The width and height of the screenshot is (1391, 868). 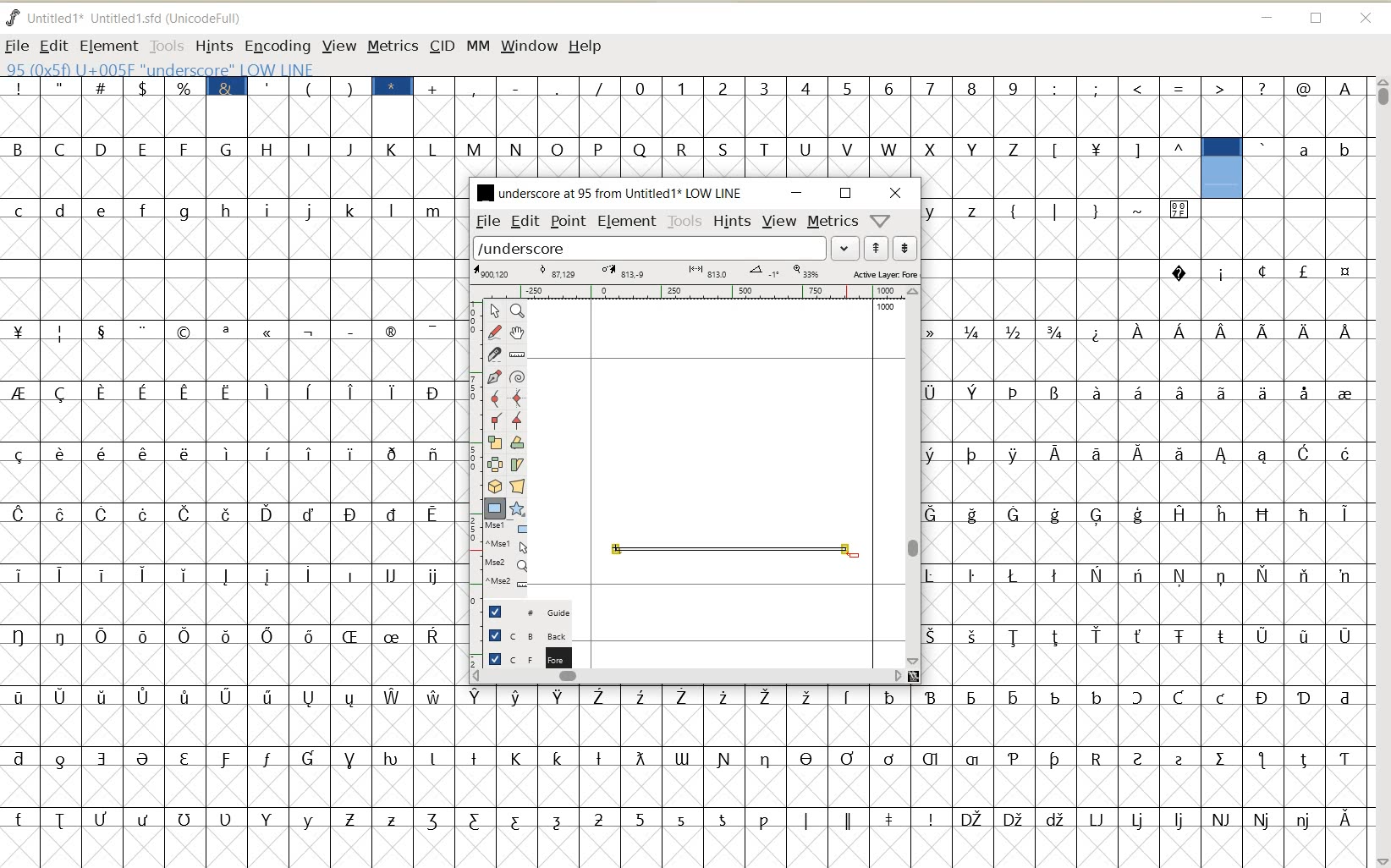 I want to click on GLYPHY INFO, so click(x=264, y=68).